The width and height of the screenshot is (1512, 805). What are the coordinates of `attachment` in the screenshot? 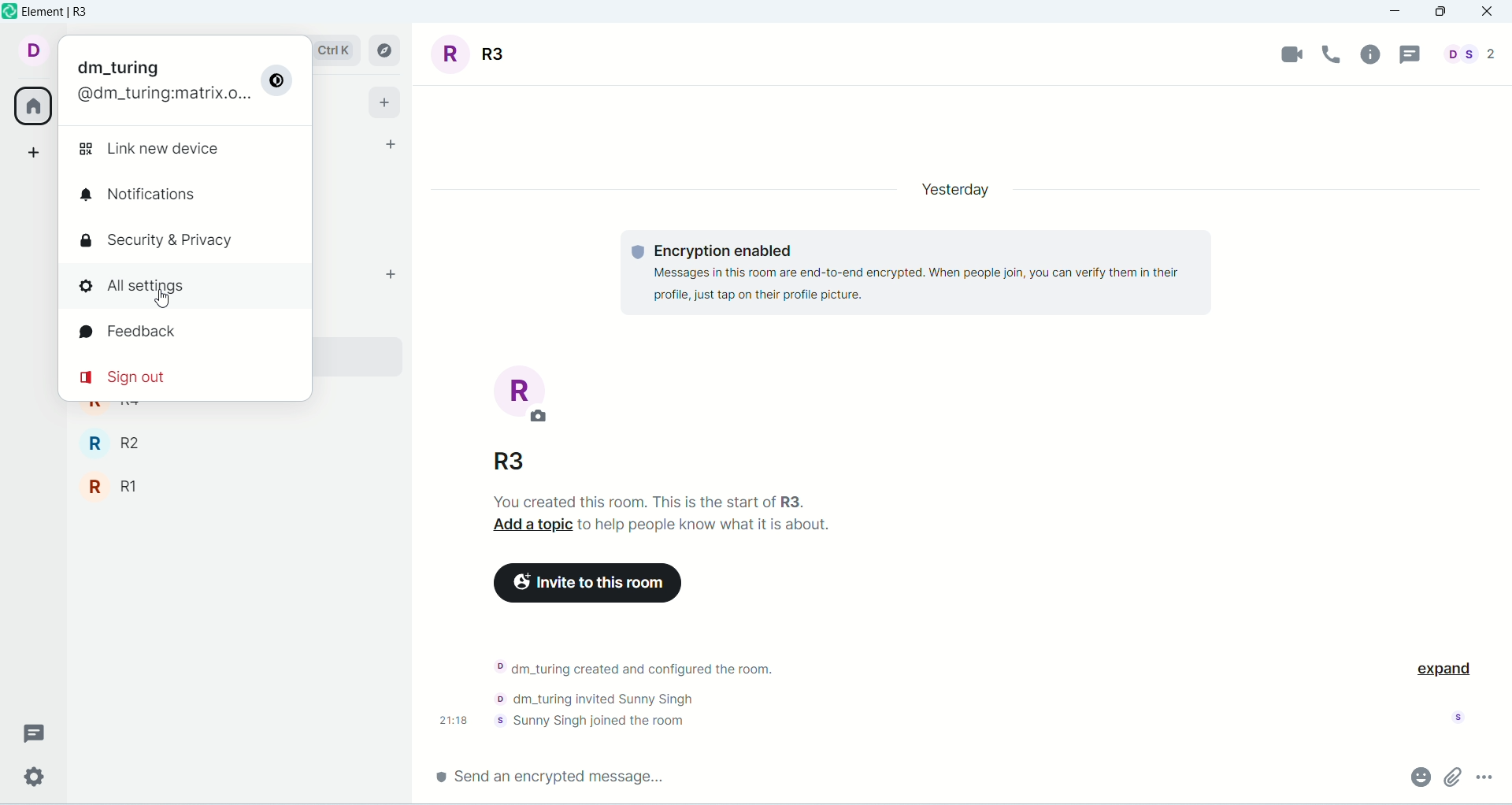 It's located at (1454, 777).